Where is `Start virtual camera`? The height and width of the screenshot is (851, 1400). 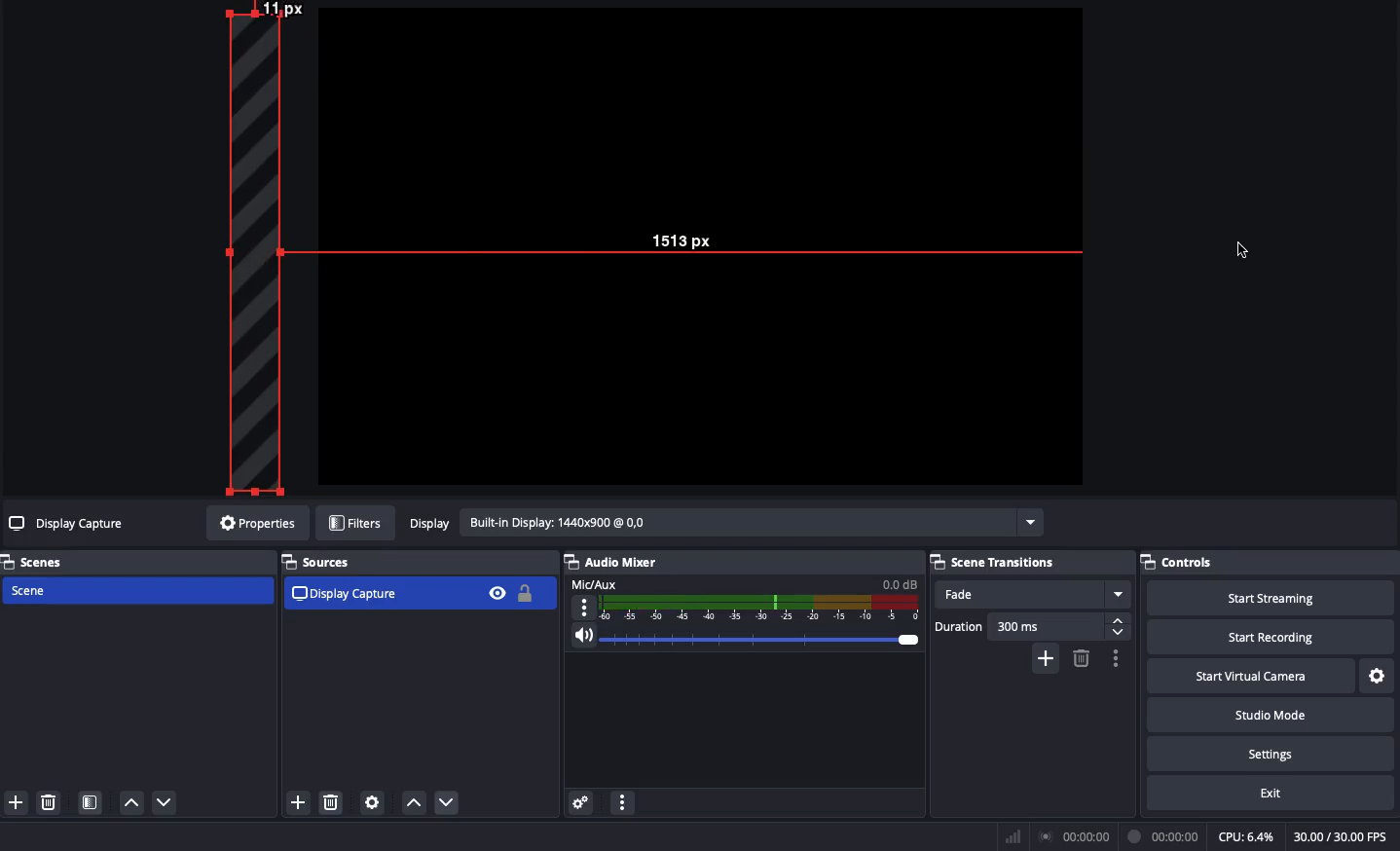 Start virtual camera is located at coordinates (1253, 674).